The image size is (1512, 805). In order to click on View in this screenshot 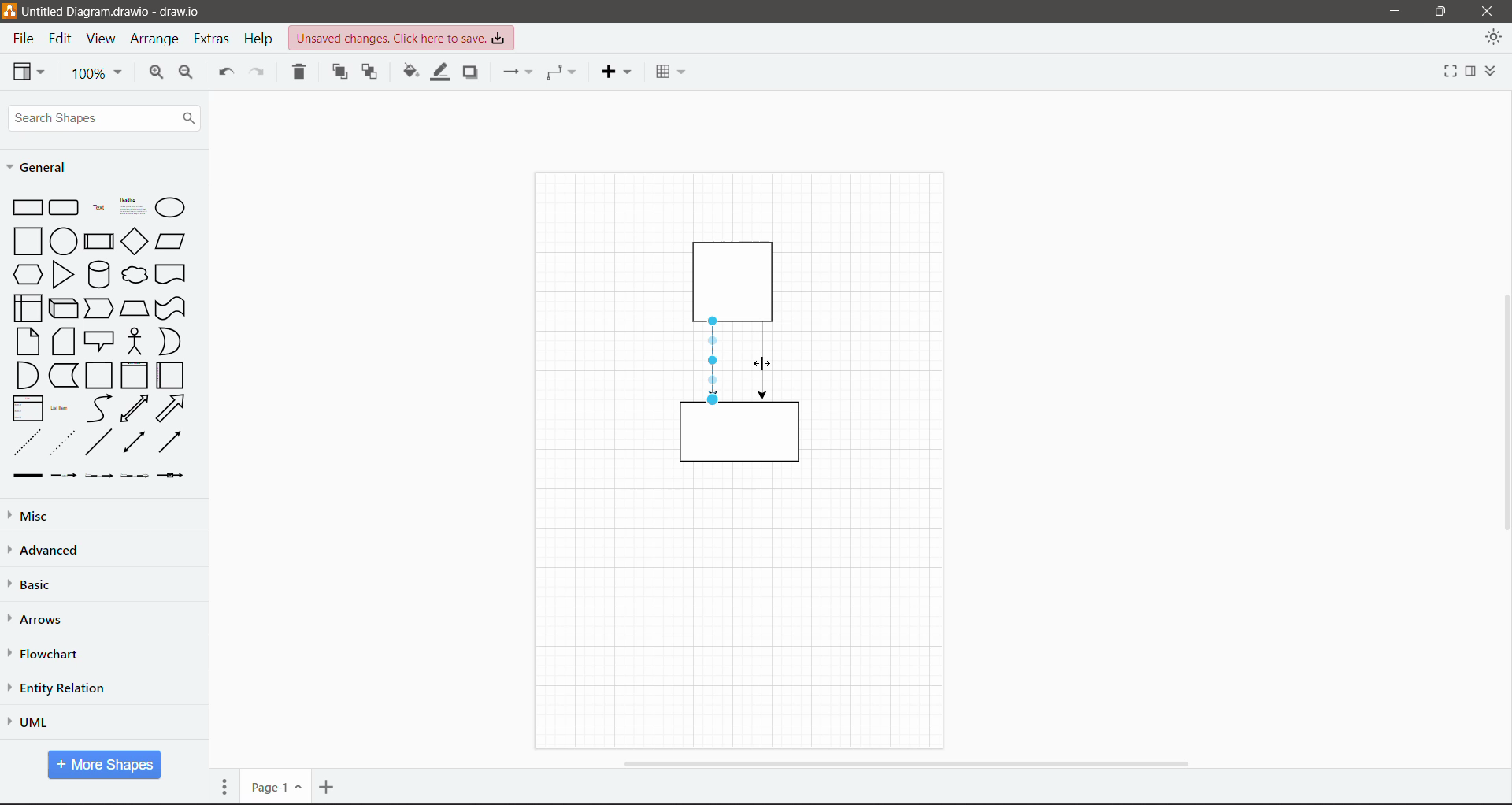, I will do `click(29, 71)`.